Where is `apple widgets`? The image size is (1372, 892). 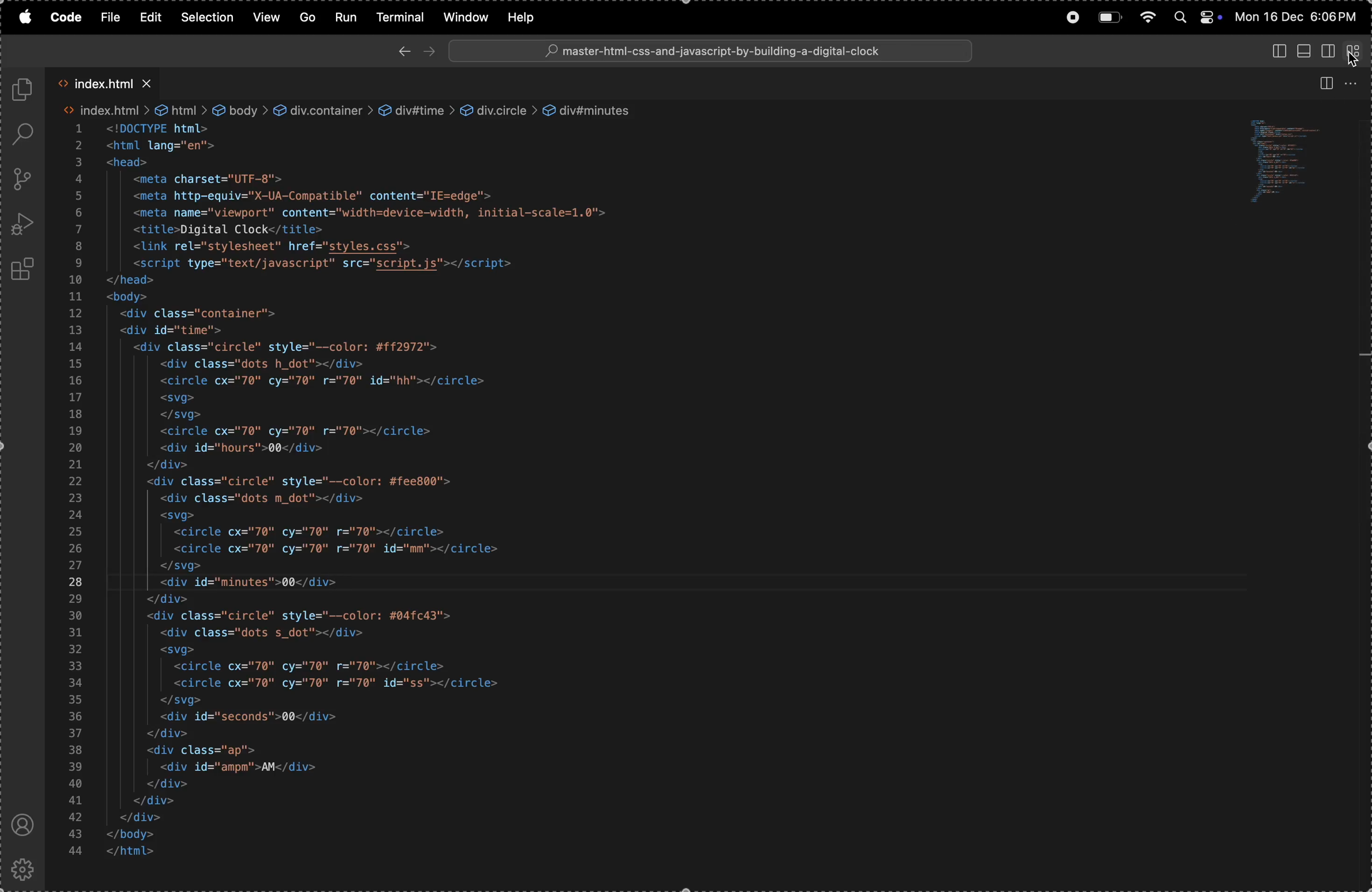
apple widgets is located at coordinates (1195, 17).